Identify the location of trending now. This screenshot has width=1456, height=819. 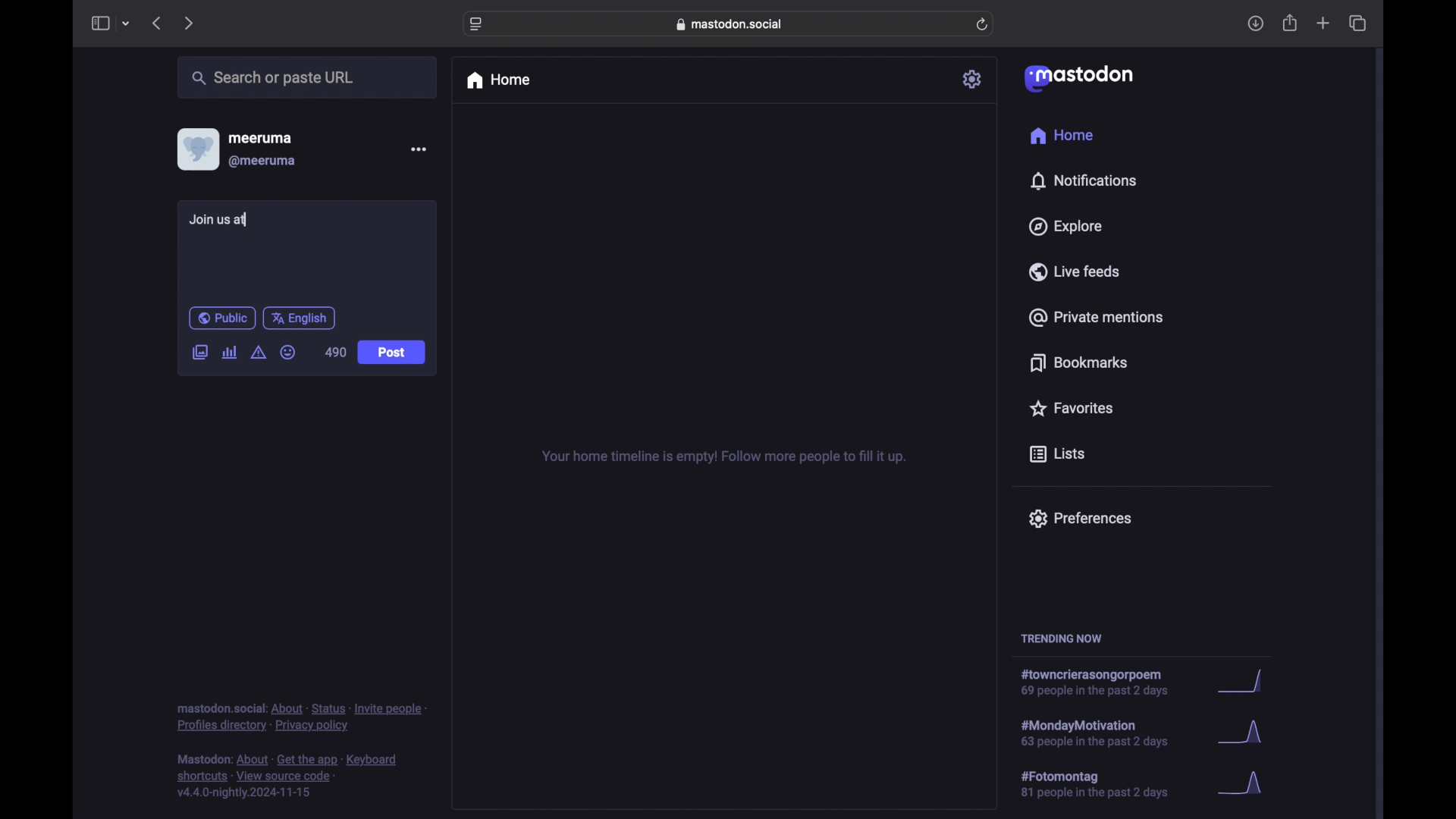
(1061, 639).